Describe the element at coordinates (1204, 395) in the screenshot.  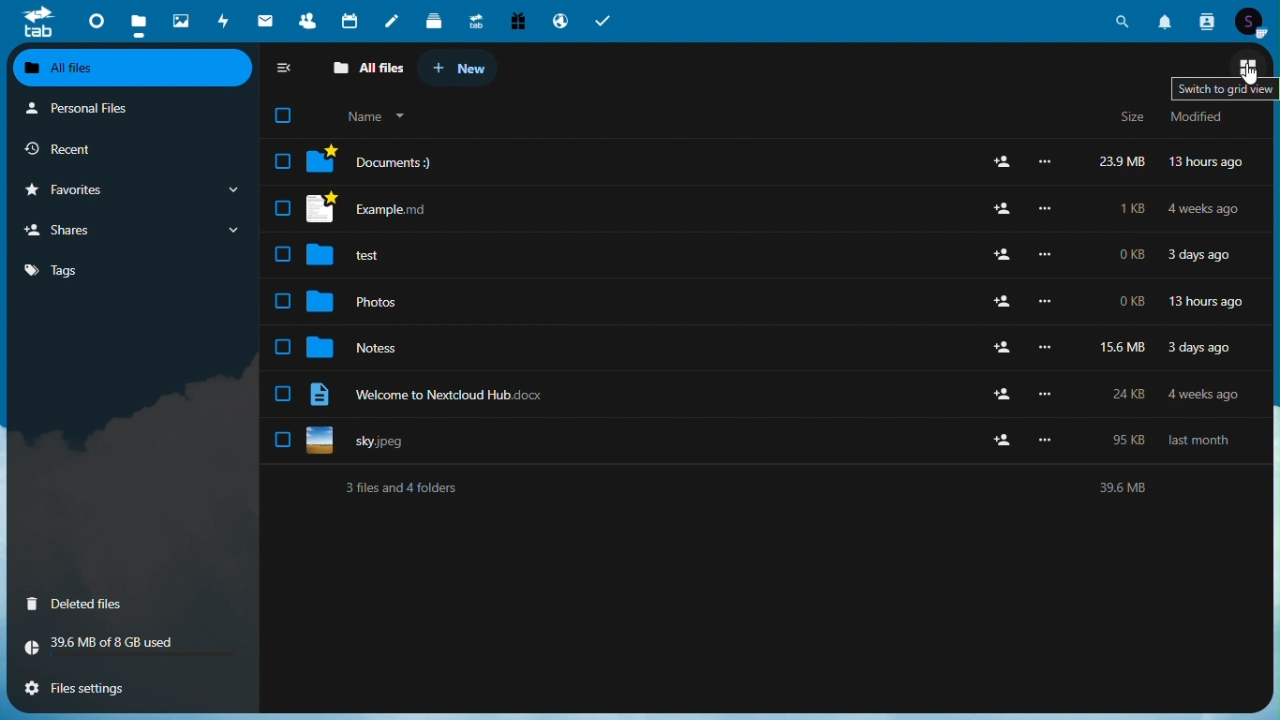
I see `4 weeks ago` at that location.